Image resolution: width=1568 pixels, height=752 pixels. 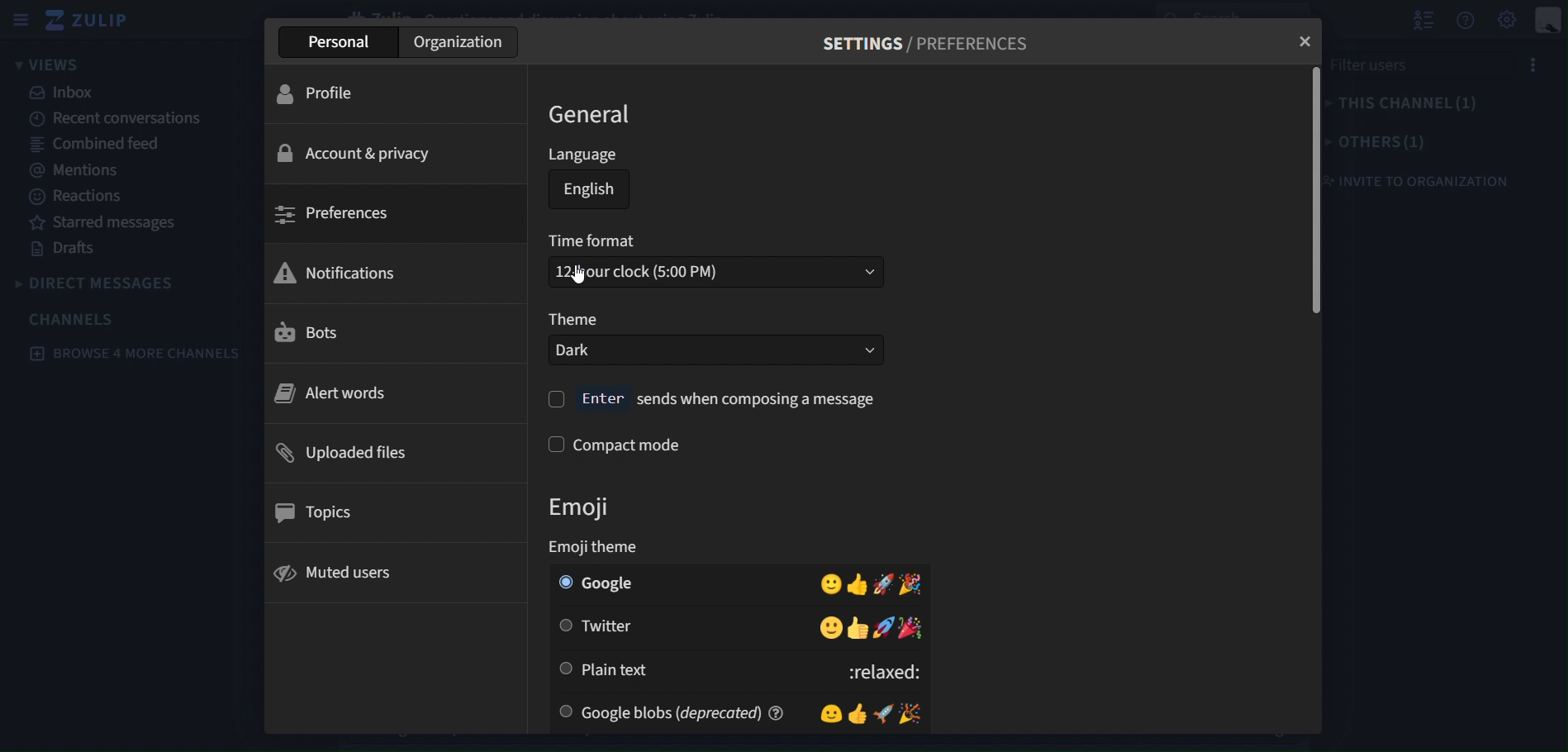 What do you see at coordinates (783, 713) in the screenshot?
I see `help` at bounding box center [783, 713].